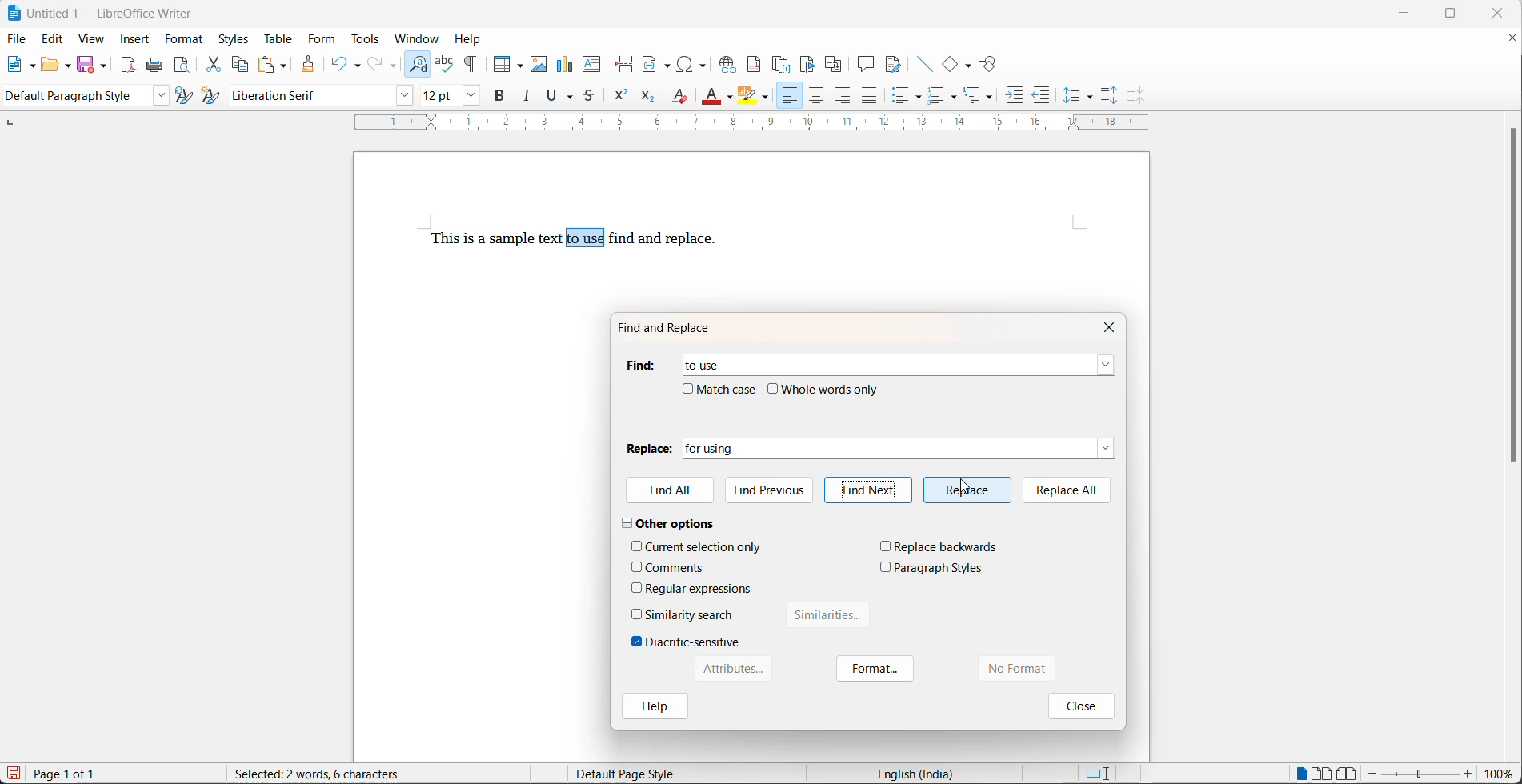 The image size is (1522, 784). I want to click on spellings, so click(445, 59).